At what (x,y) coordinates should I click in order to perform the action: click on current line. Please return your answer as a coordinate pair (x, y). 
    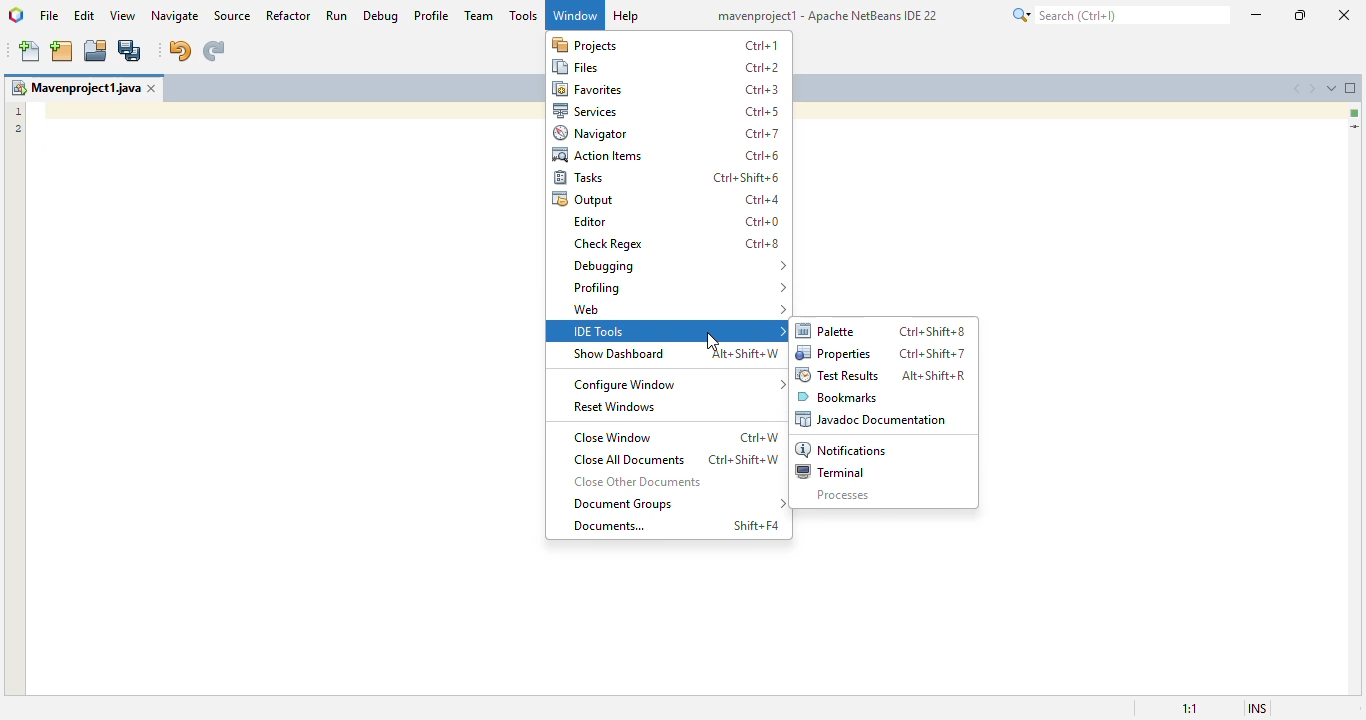
    Looking at the image, I should click on (1354, 127).